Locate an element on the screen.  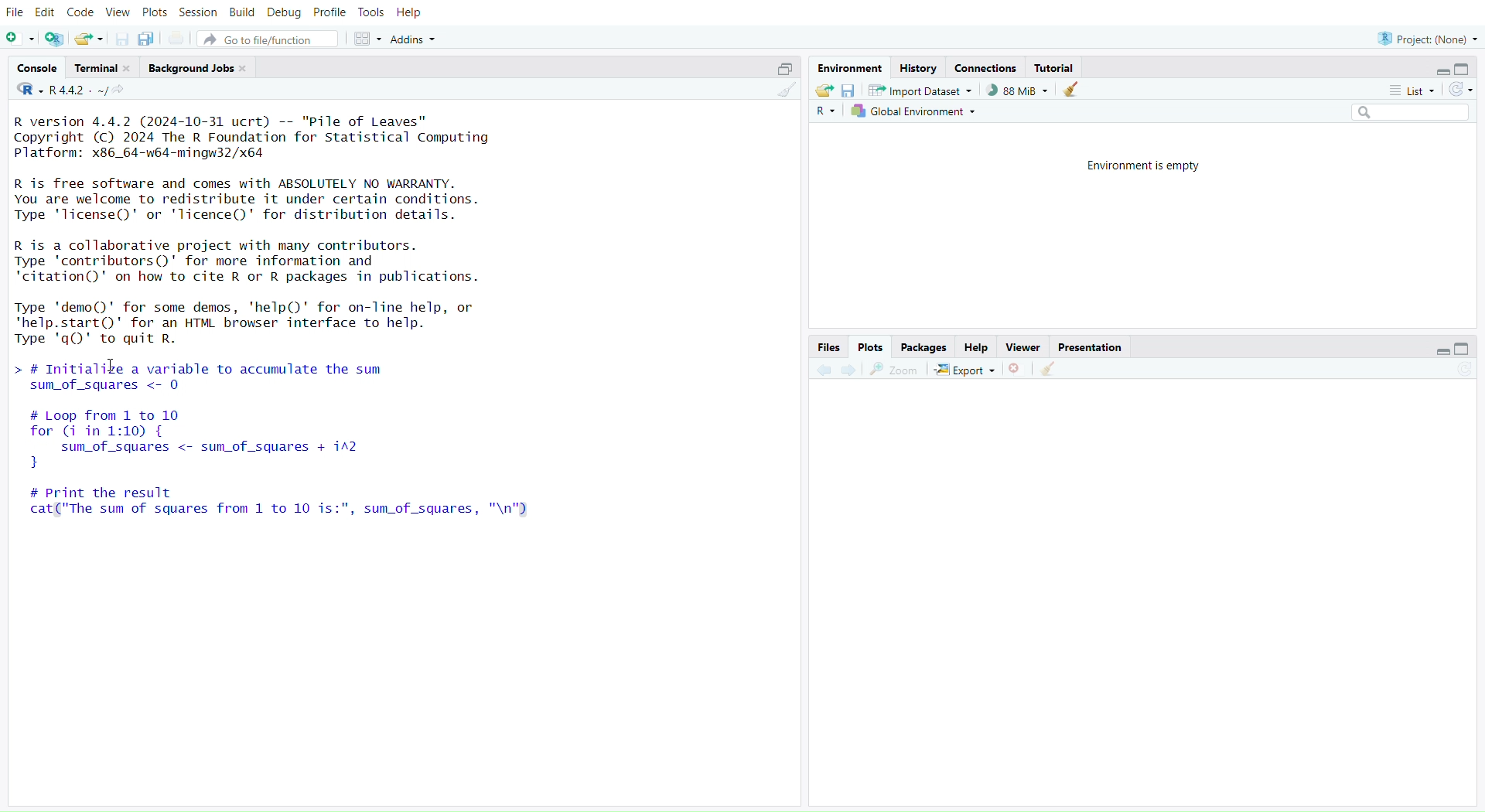
for (i in 1:10) {
sum_of_squares <- sum_of_squares + iA2
} is located at coordinates (253, 449).